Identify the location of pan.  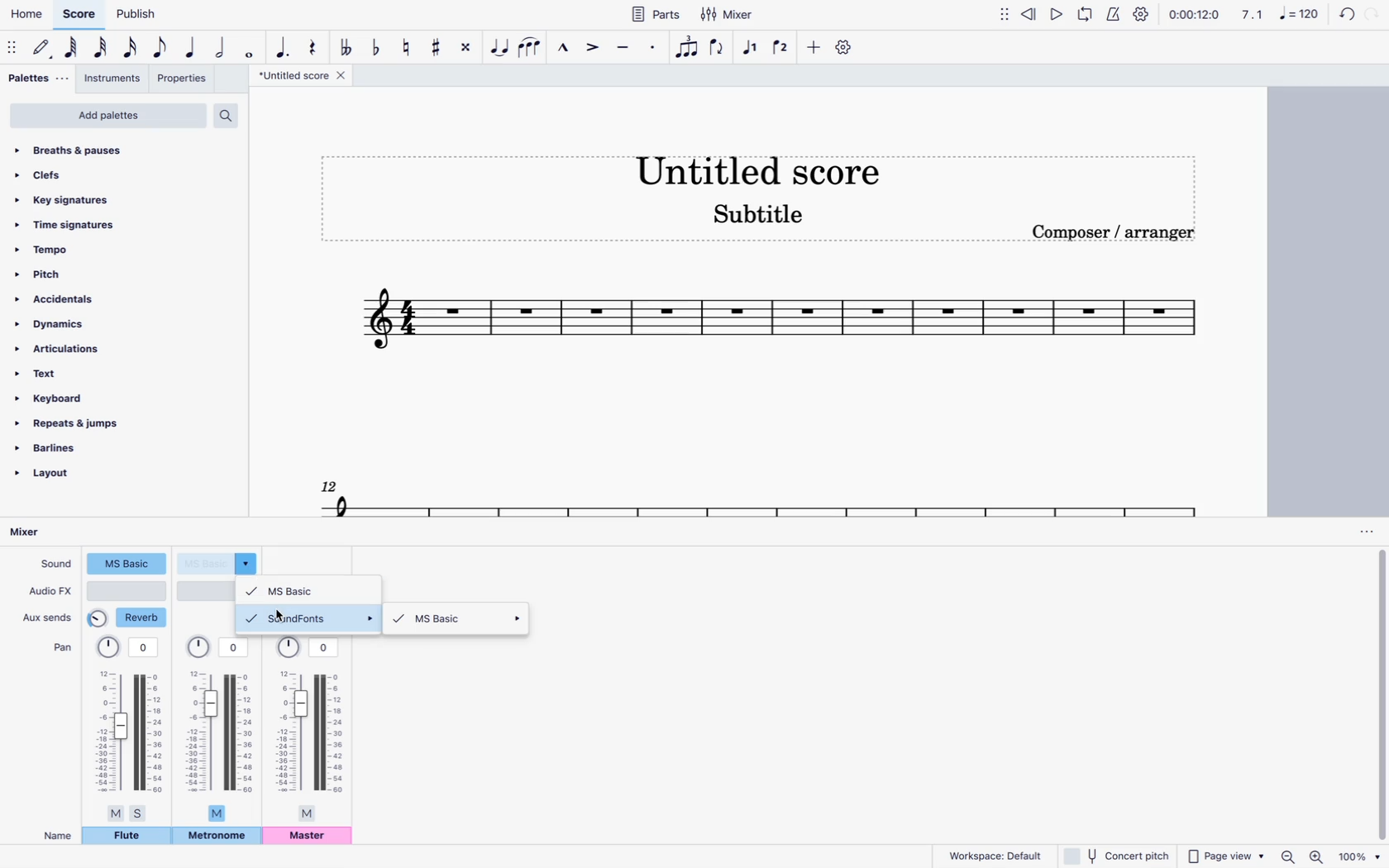
(130, 728).